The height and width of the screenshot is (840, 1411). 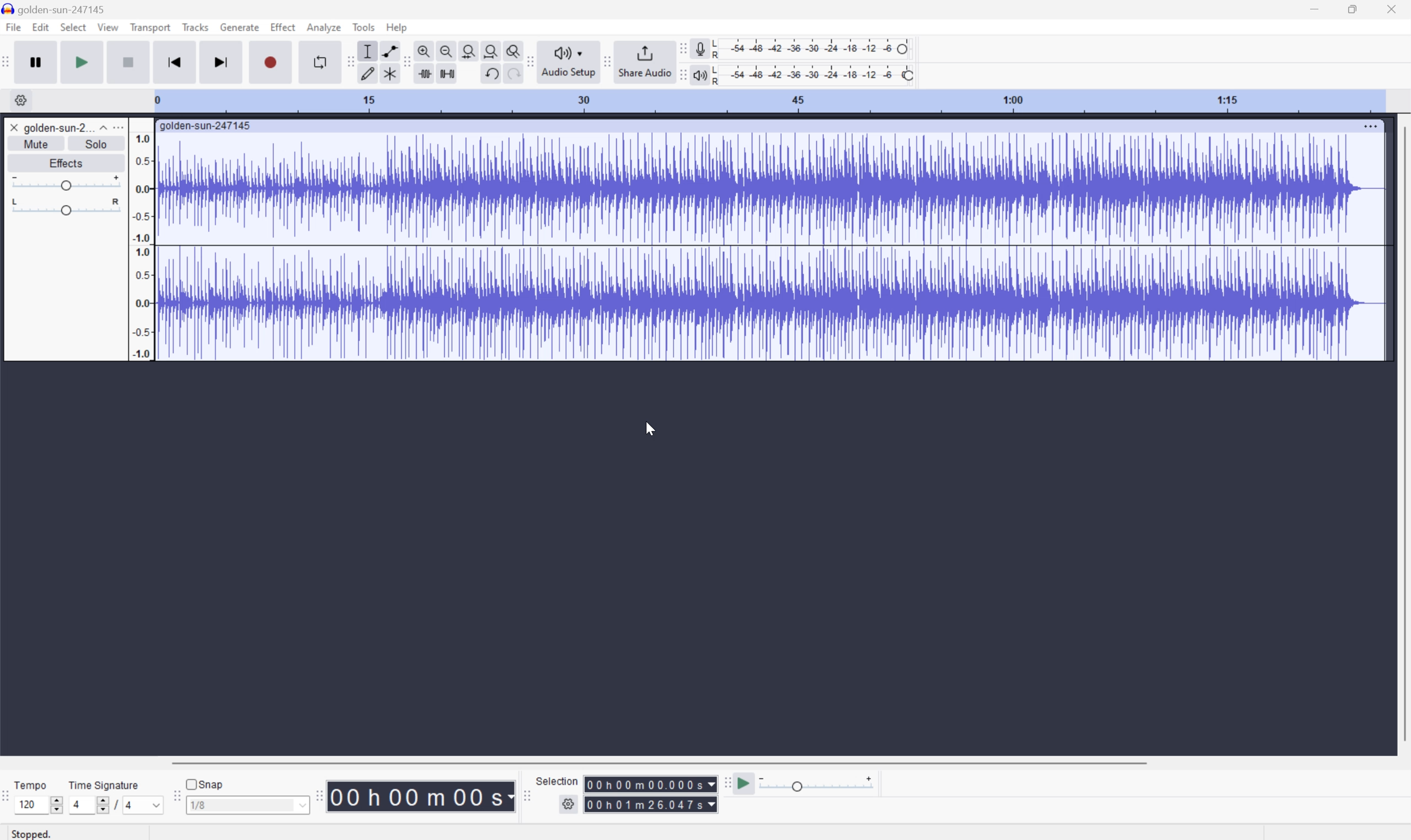 What do you see at coordinates (270, 61) in the screenshot?
I see `Record / Record new track` at bounding box center [270, 61].